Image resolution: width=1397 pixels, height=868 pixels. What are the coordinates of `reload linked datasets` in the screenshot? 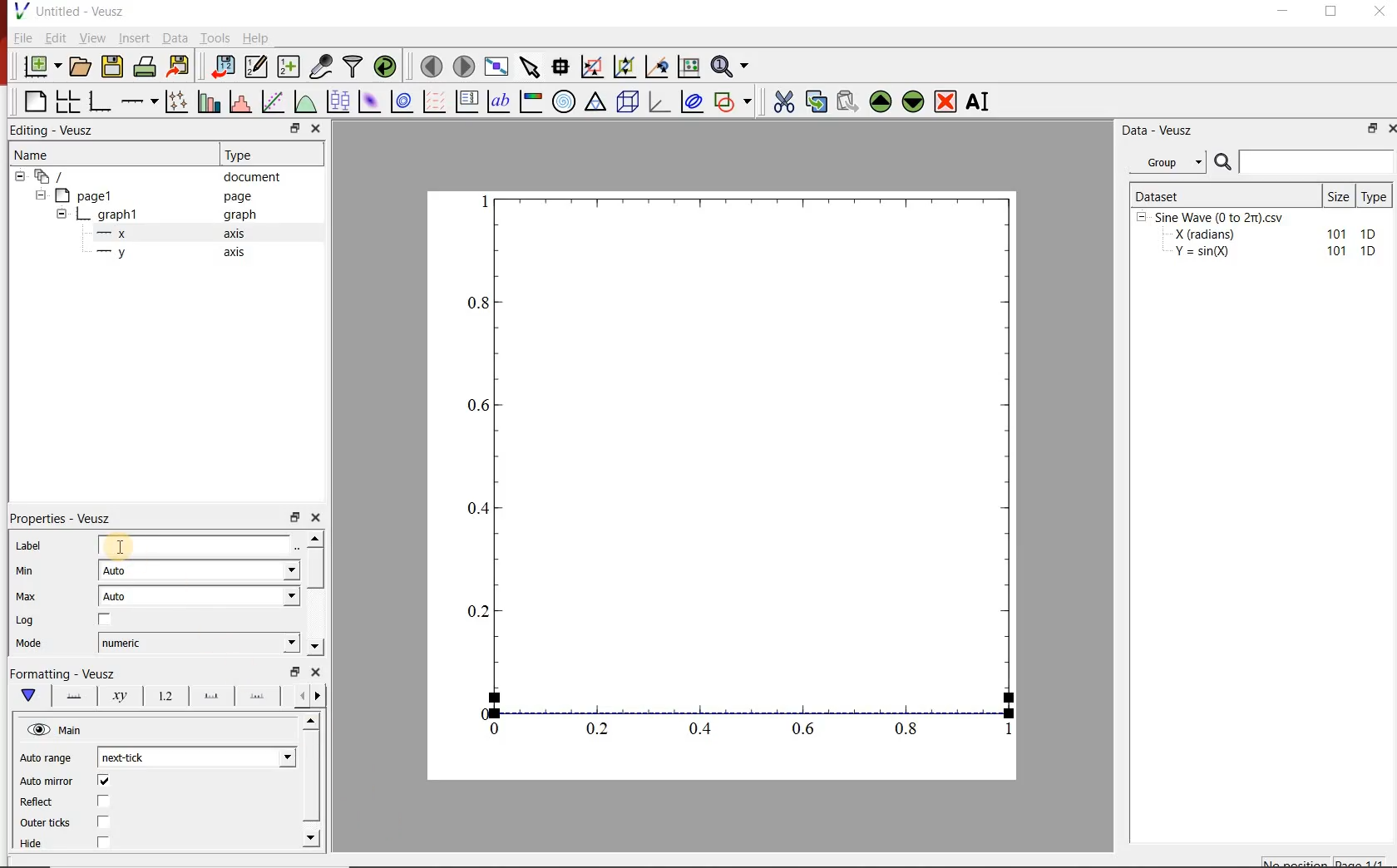 It's located at (388, 67).